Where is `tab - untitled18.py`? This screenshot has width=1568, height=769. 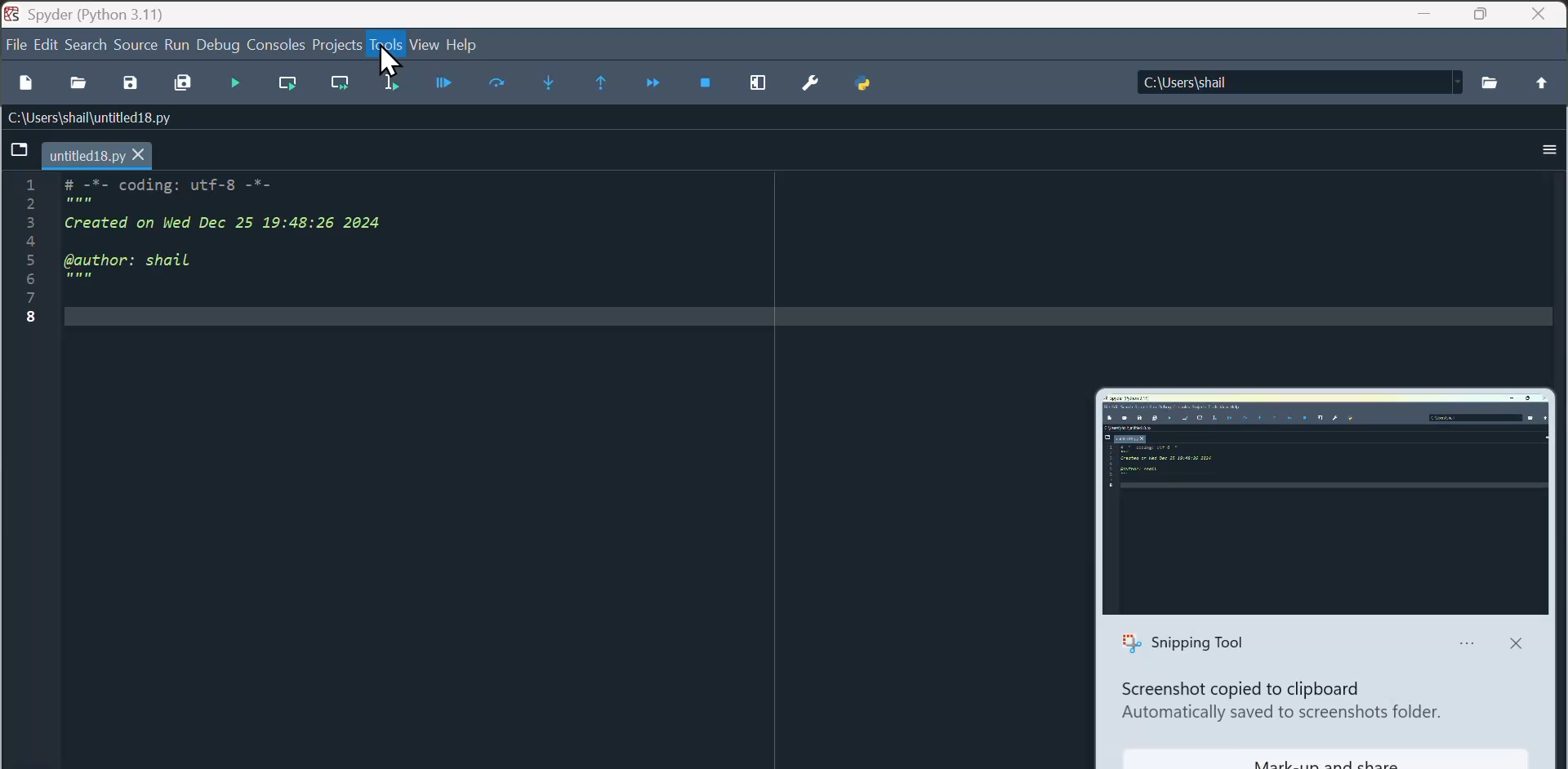 tab - untitled18.py is located at coordinates (79, 154).